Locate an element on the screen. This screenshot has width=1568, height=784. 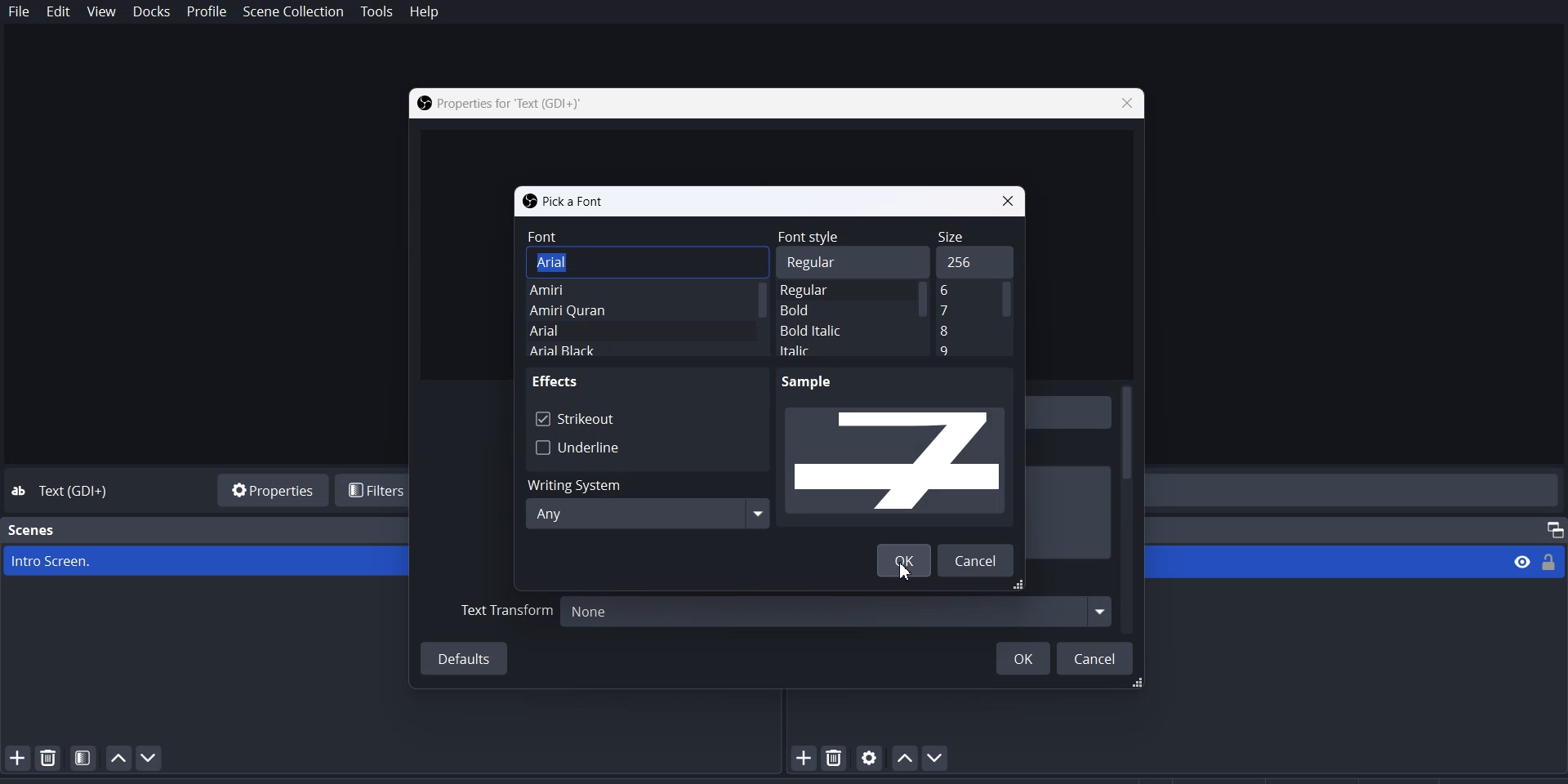
Strikeout is located at coordinates (575, 417).